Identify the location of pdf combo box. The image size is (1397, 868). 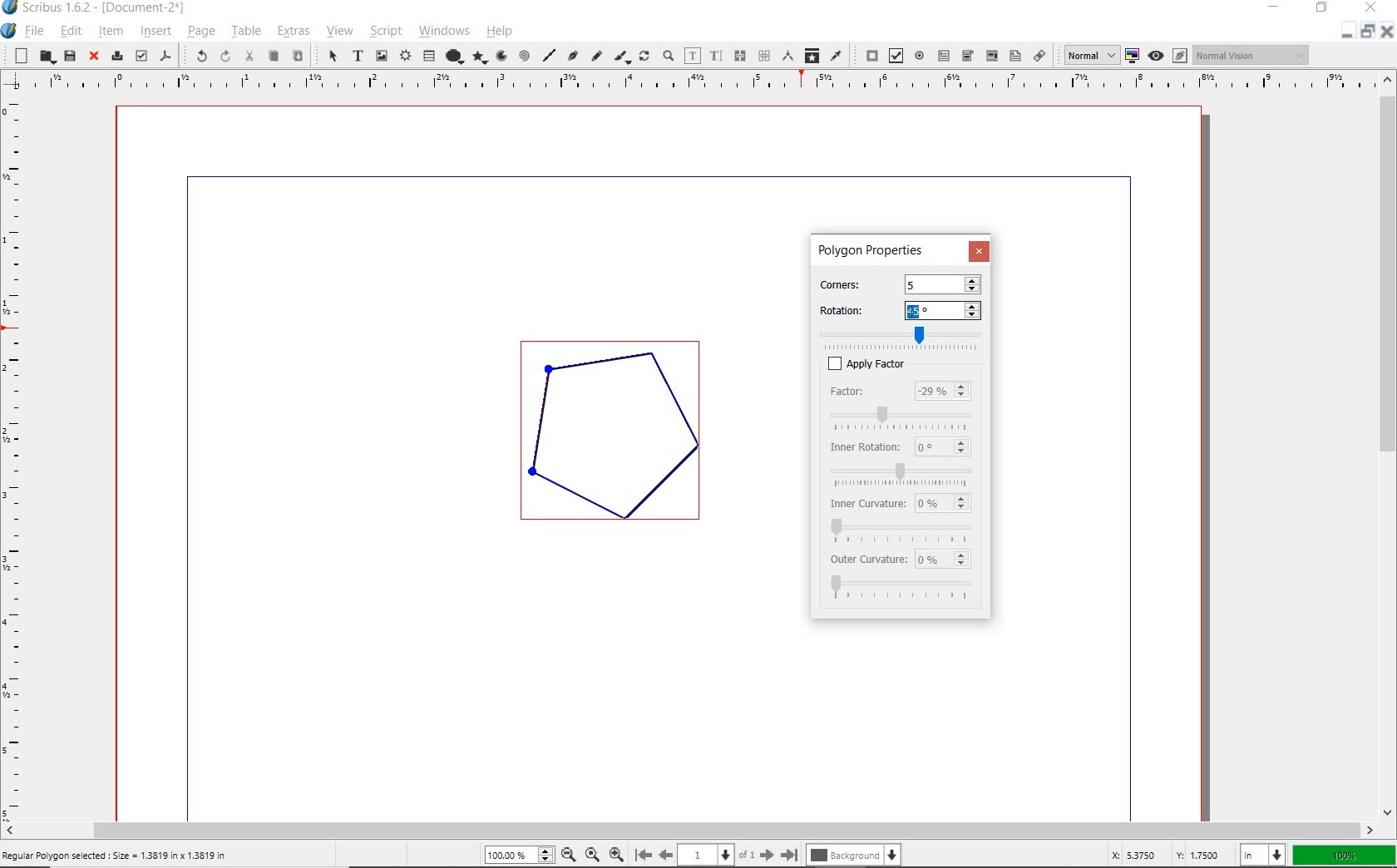
(990, 56).